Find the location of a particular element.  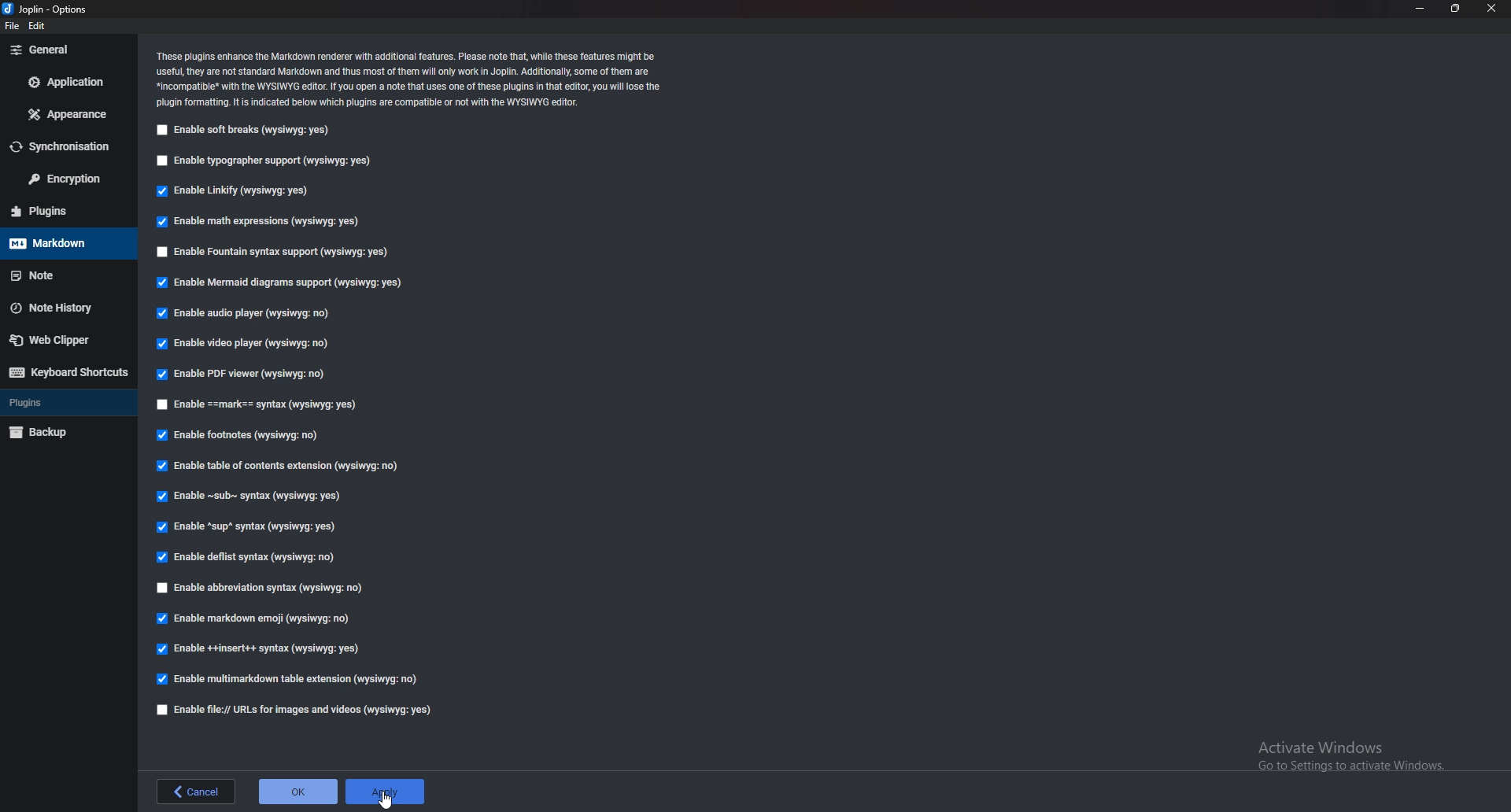

markdown is located at coordinates (59, 244).